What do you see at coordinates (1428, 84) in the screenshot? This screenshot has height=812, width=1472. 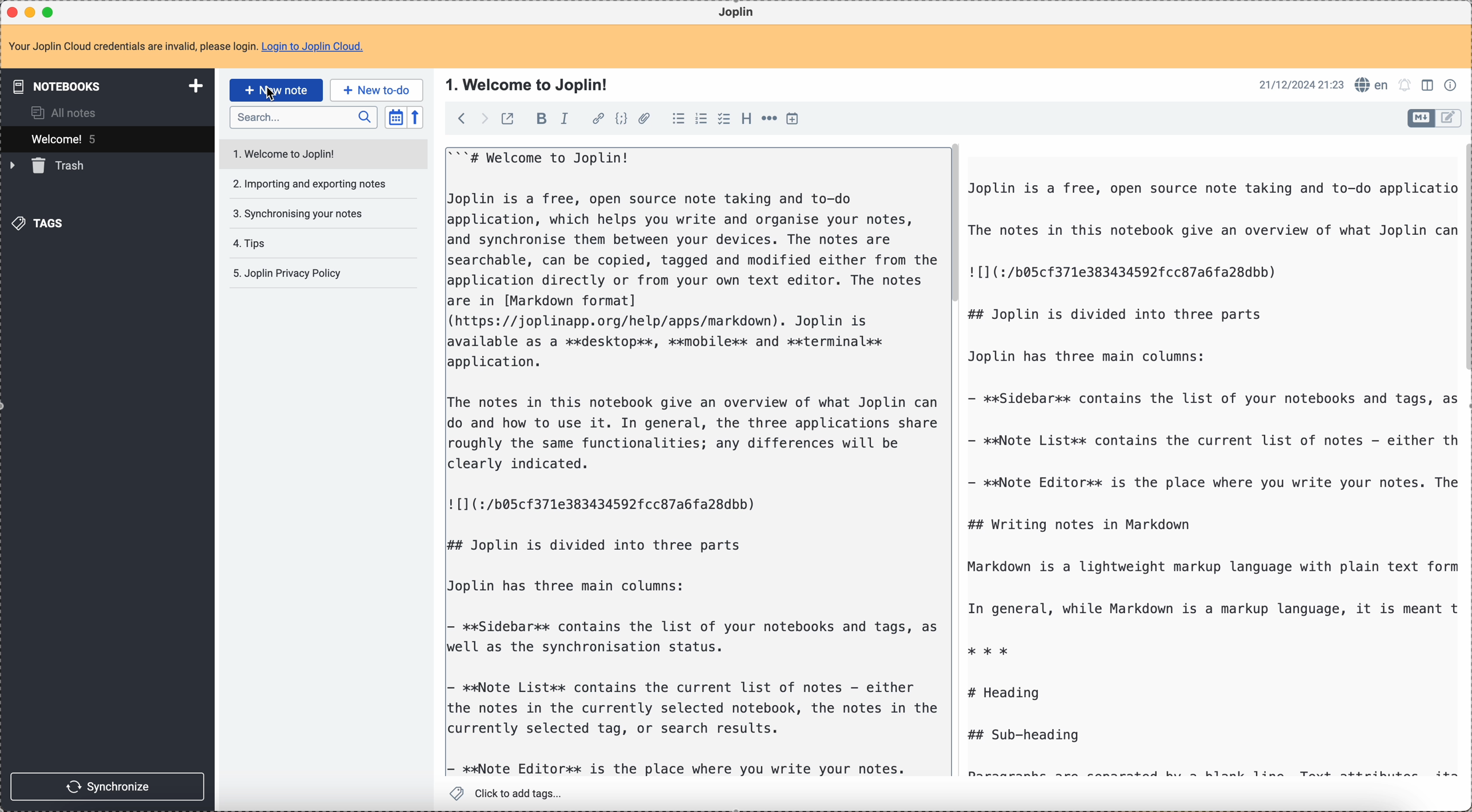 I see `toggle edit layout` at bounding box center [1428, 84].